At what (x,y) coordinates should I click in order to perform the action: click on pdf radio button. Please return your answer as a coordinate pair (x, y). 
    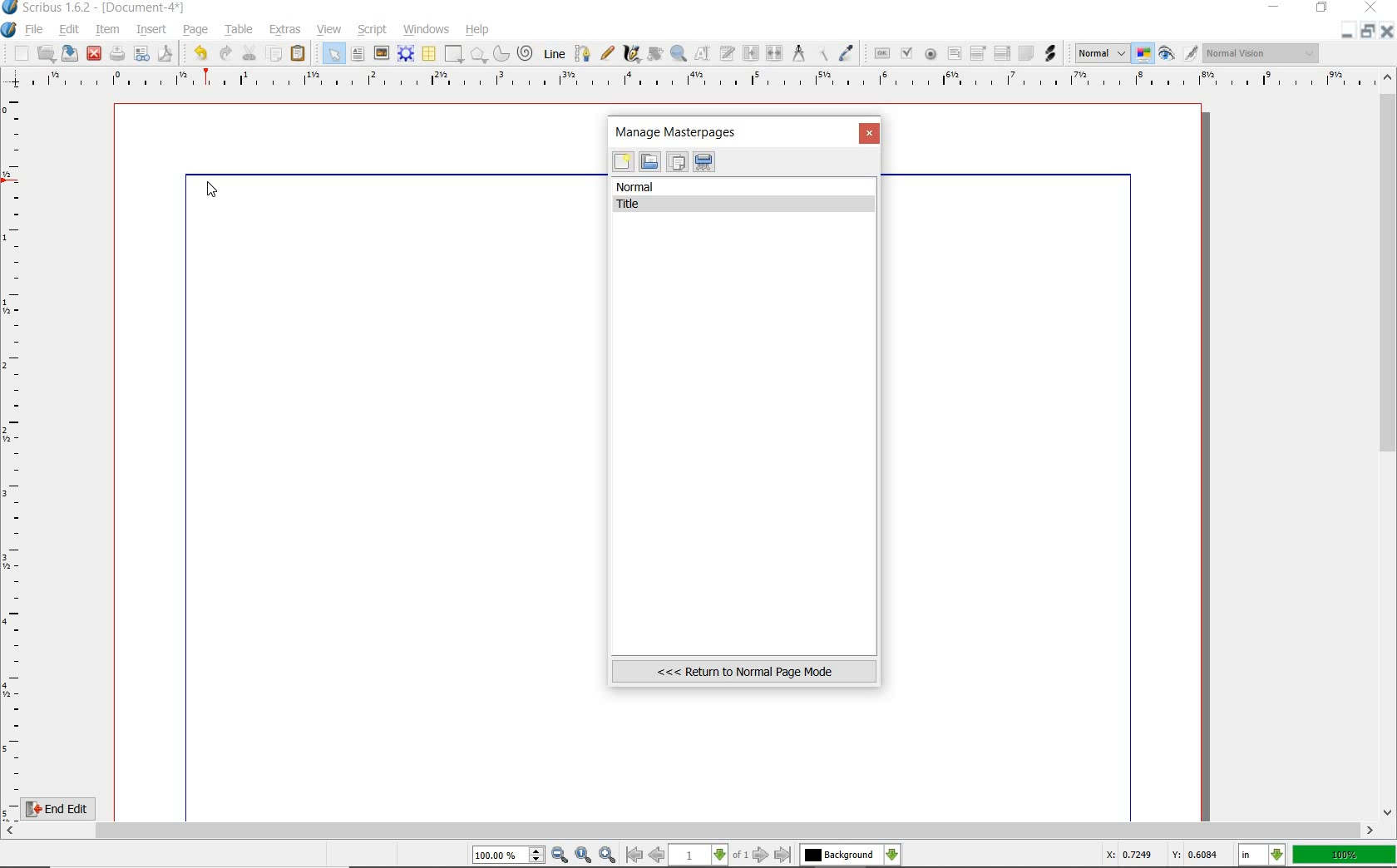
    Looking at the image, I should click on (930, 54).